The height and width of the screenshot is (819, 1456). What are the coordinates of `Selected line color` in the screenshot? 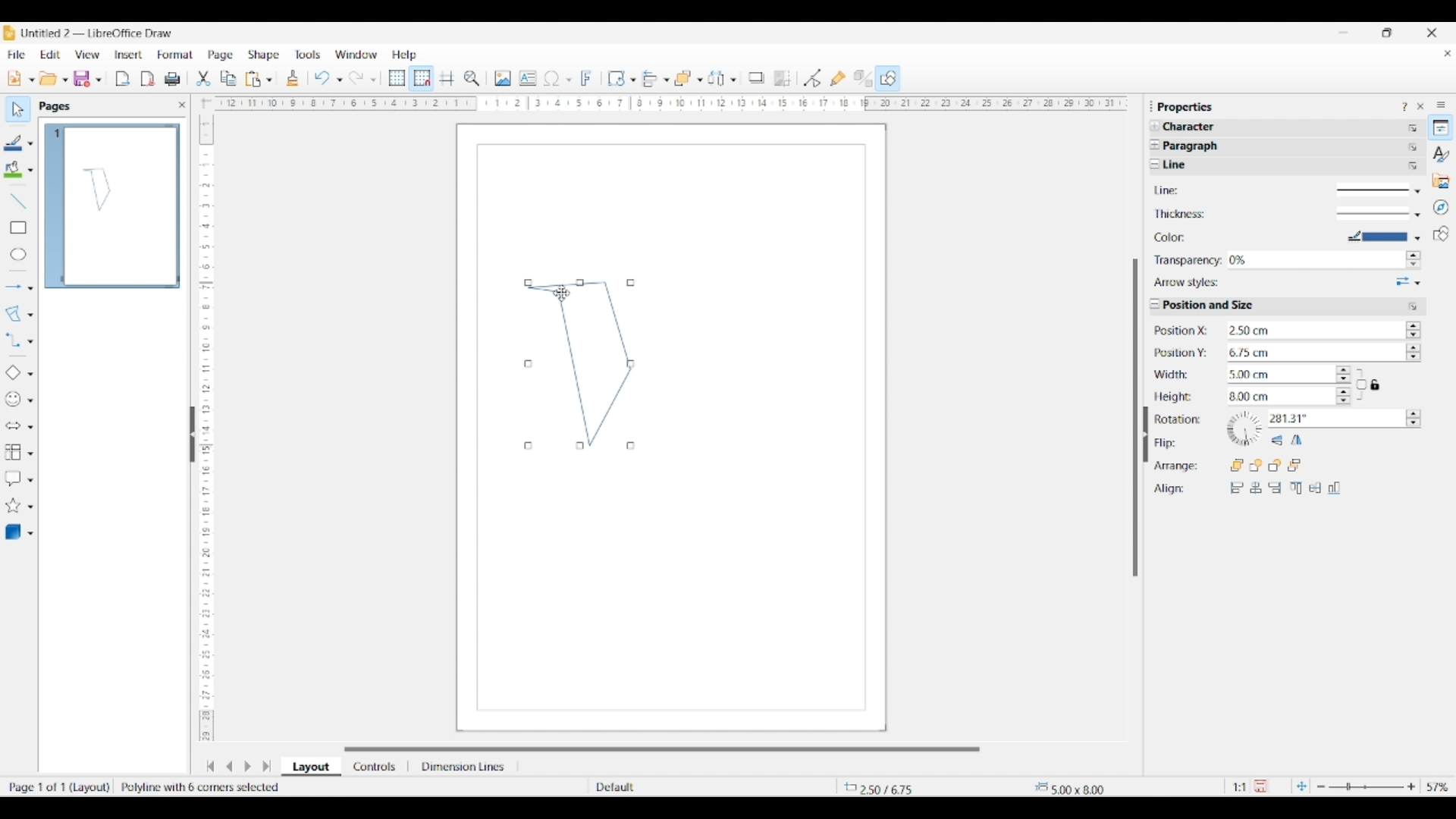 It's located at (14, 143).